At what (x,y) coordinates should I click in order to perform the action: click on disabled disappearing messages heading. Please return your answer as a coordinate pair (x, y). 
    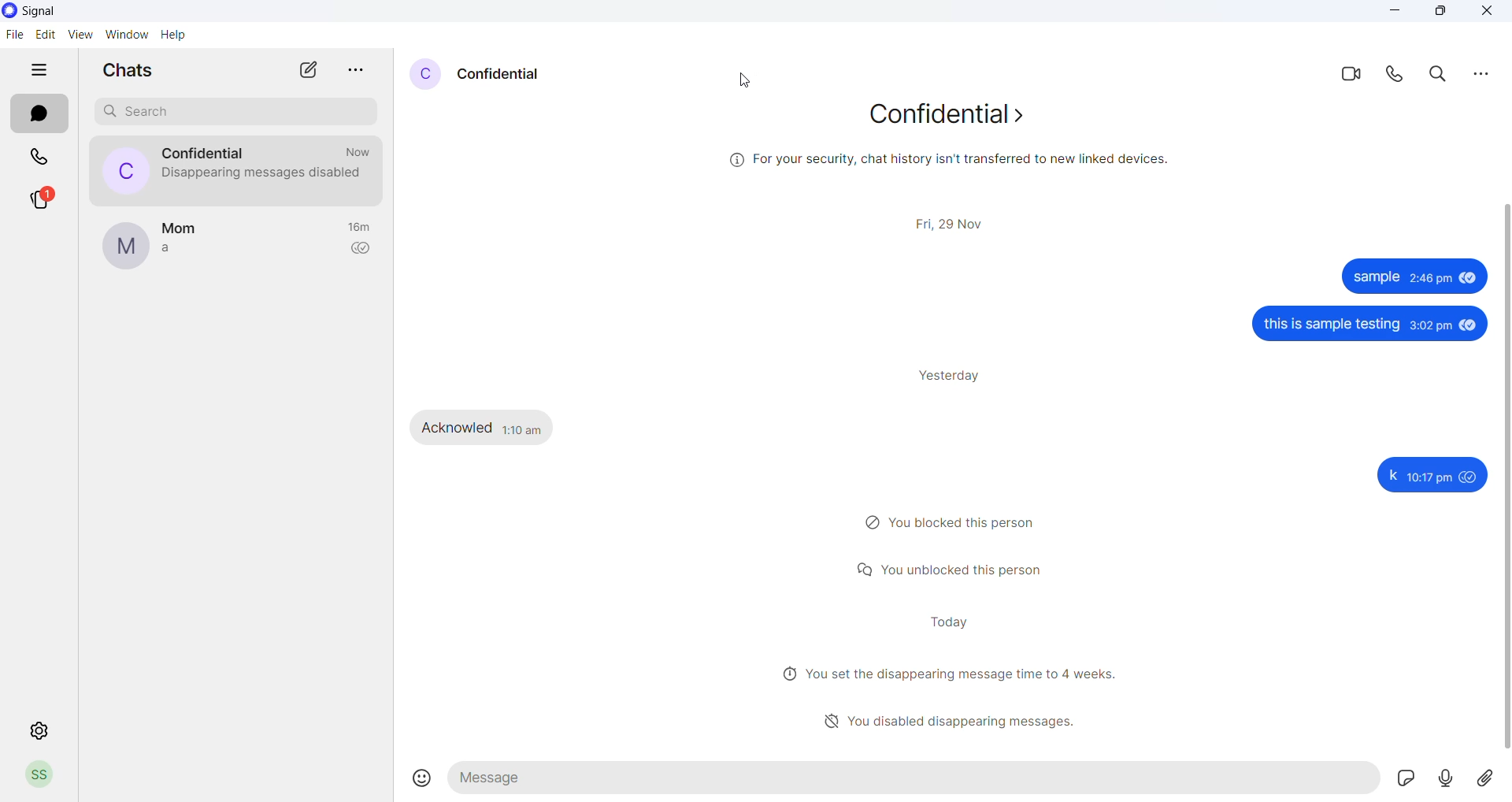
    Looking at the image, I should click on (962, 724).